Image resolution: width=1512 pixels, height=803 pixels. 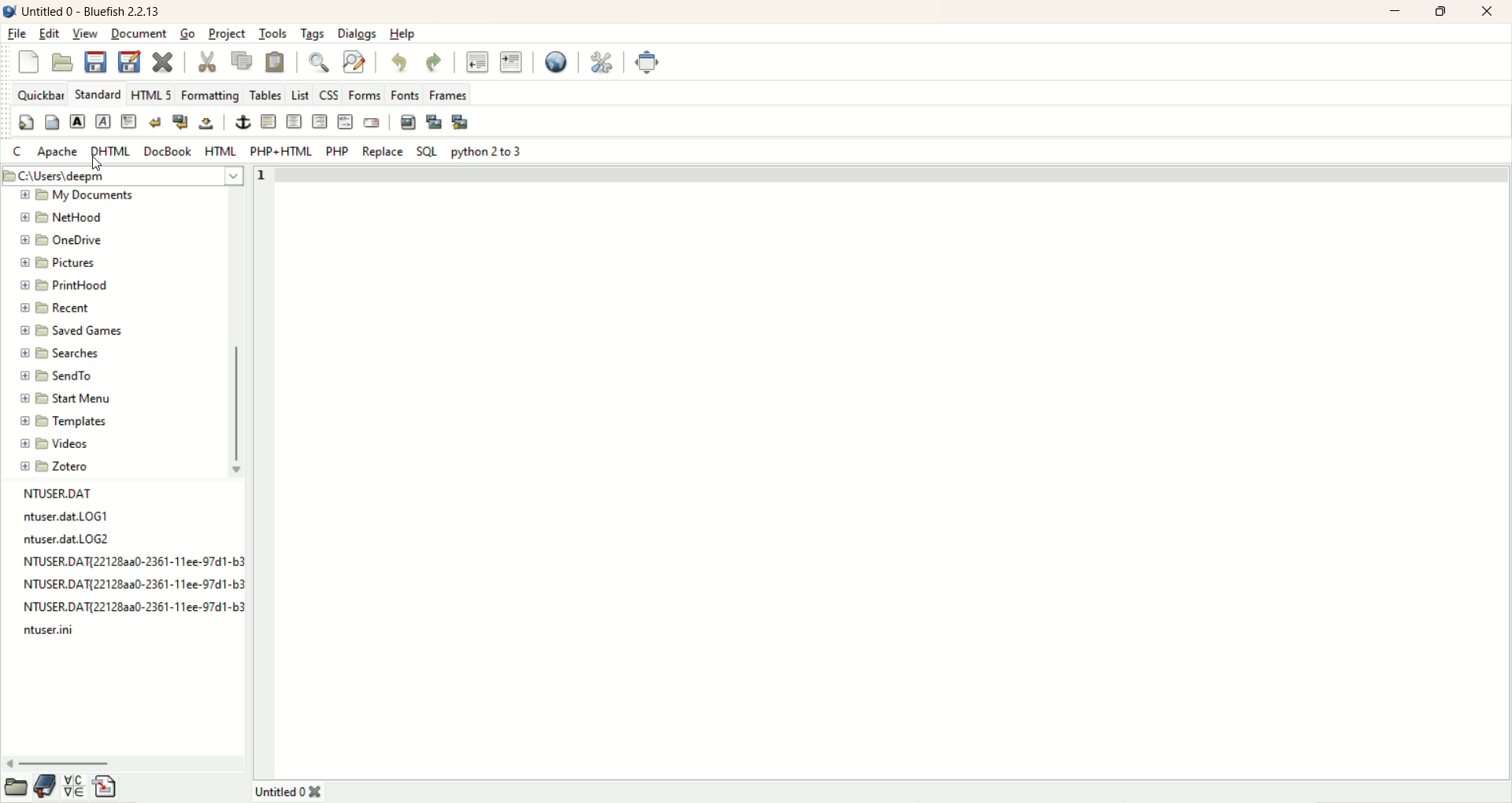 What do you see at coordinates (87, 32) in the screenshot?
I see `view` at bounding box center [87, 32].